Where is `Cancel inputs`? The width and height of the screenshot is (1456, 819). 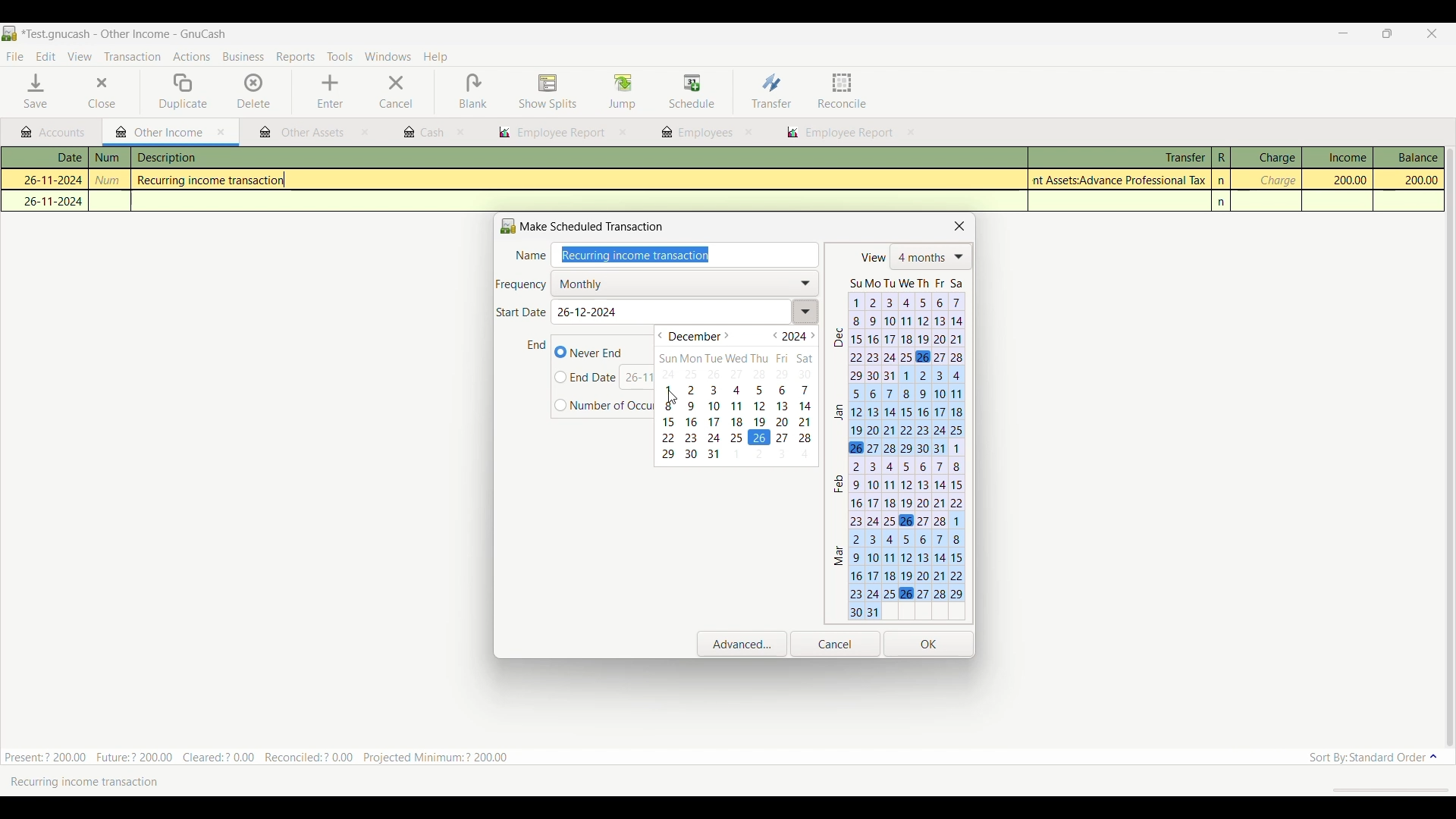
Cancel inputs is located at coordinates (835, 645).